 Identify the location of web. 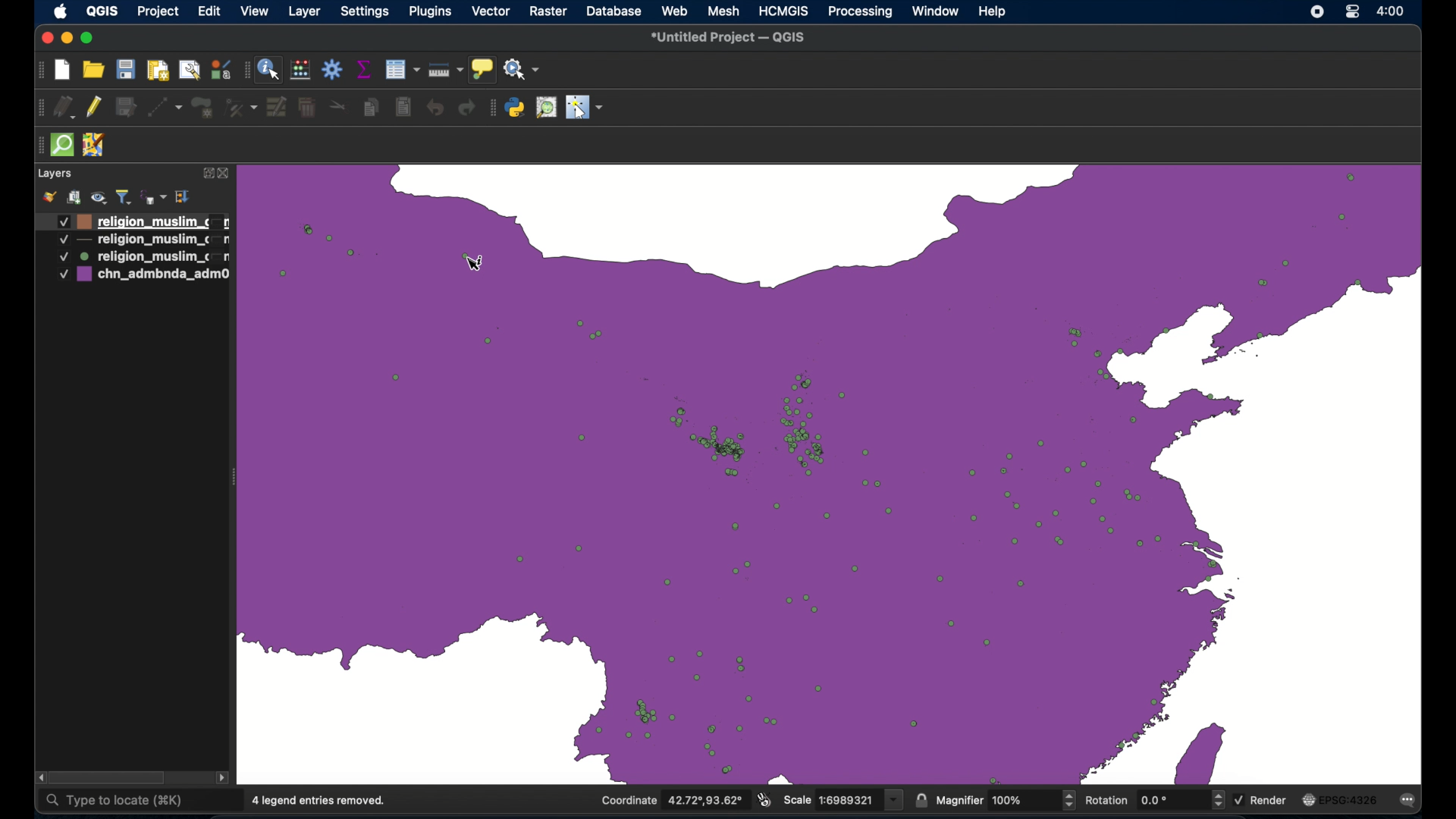
(675, 11).